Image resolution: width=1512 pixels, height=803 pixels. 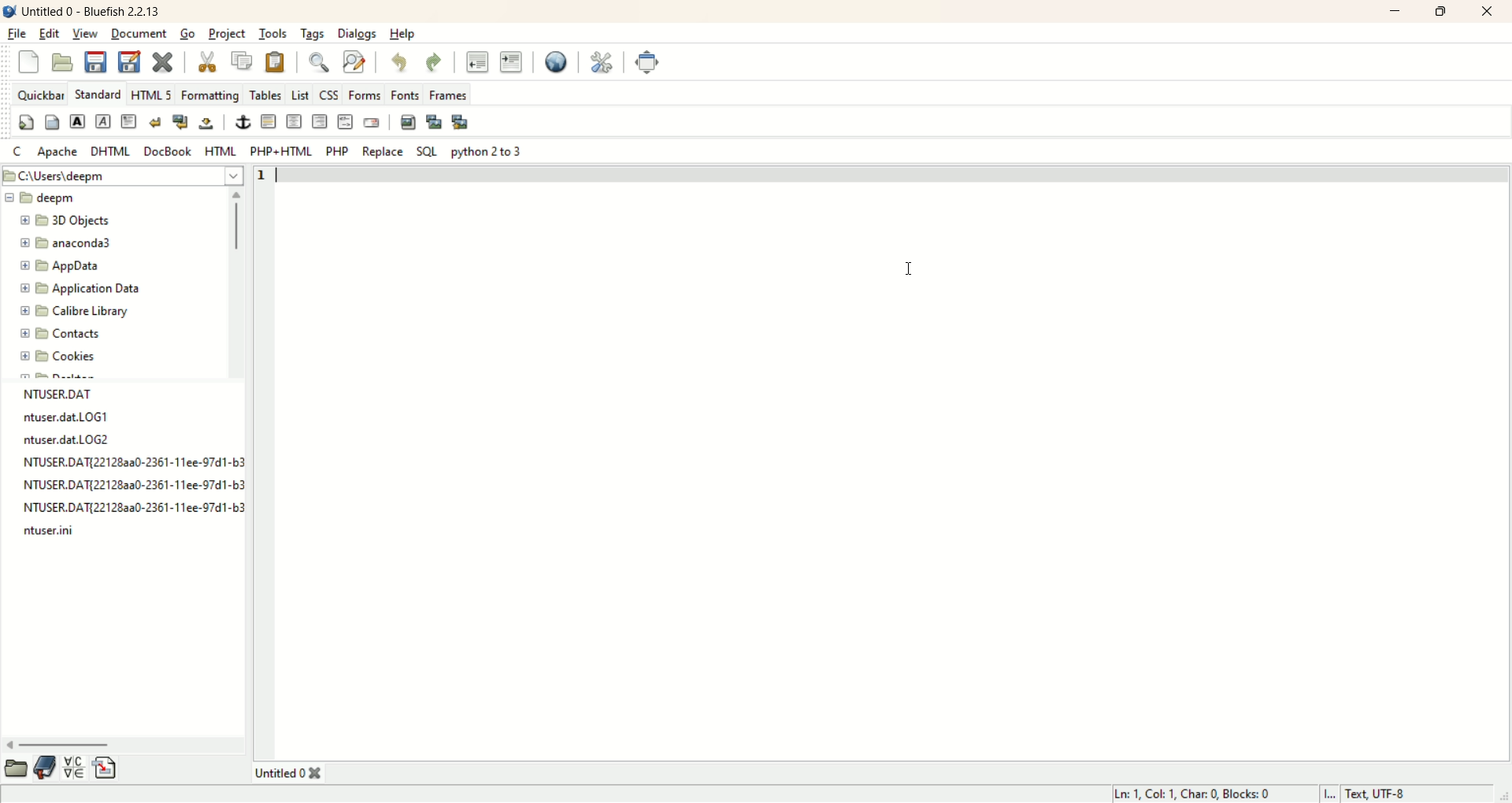 What do you see at coordinates (476, 62) in the screenshot?
I see `unindent` at bounding box center [476, 62].